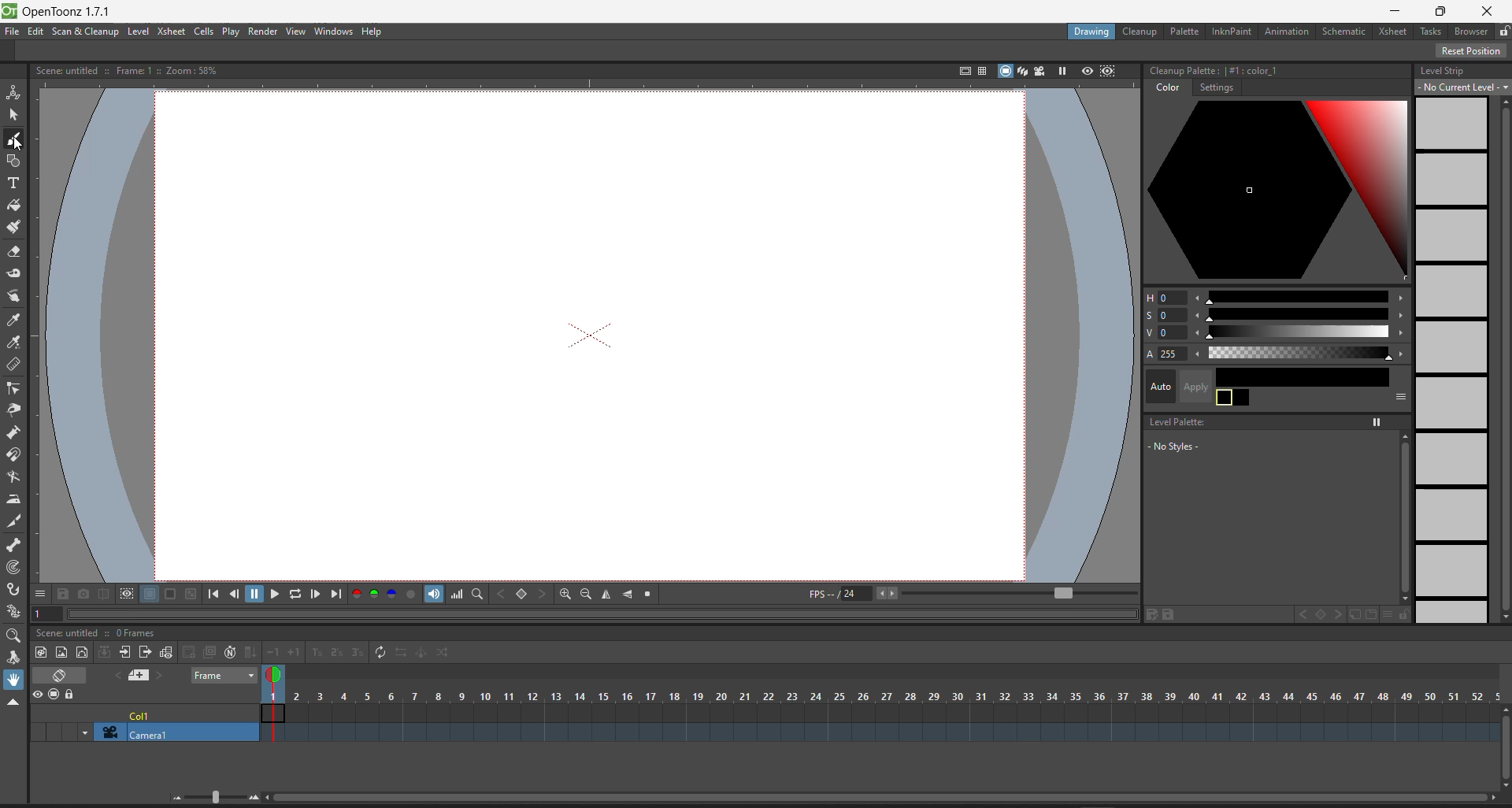 The image size is (1512, 808). I want to click on histogram, so click(457, 593).